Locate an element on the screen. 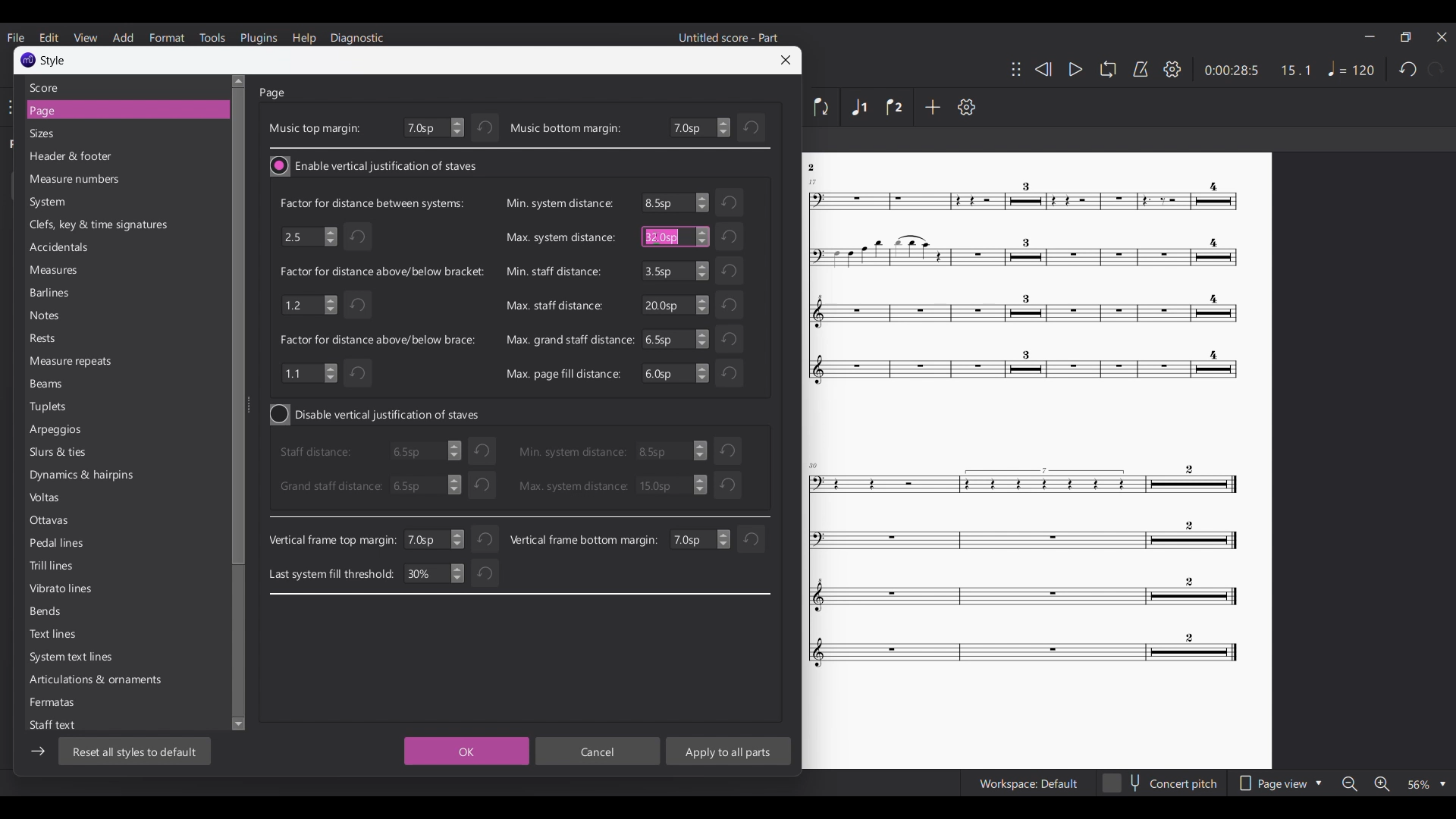 The width and height of the screenshot is (1456, 819). Page is located at coordinates (117, 111).